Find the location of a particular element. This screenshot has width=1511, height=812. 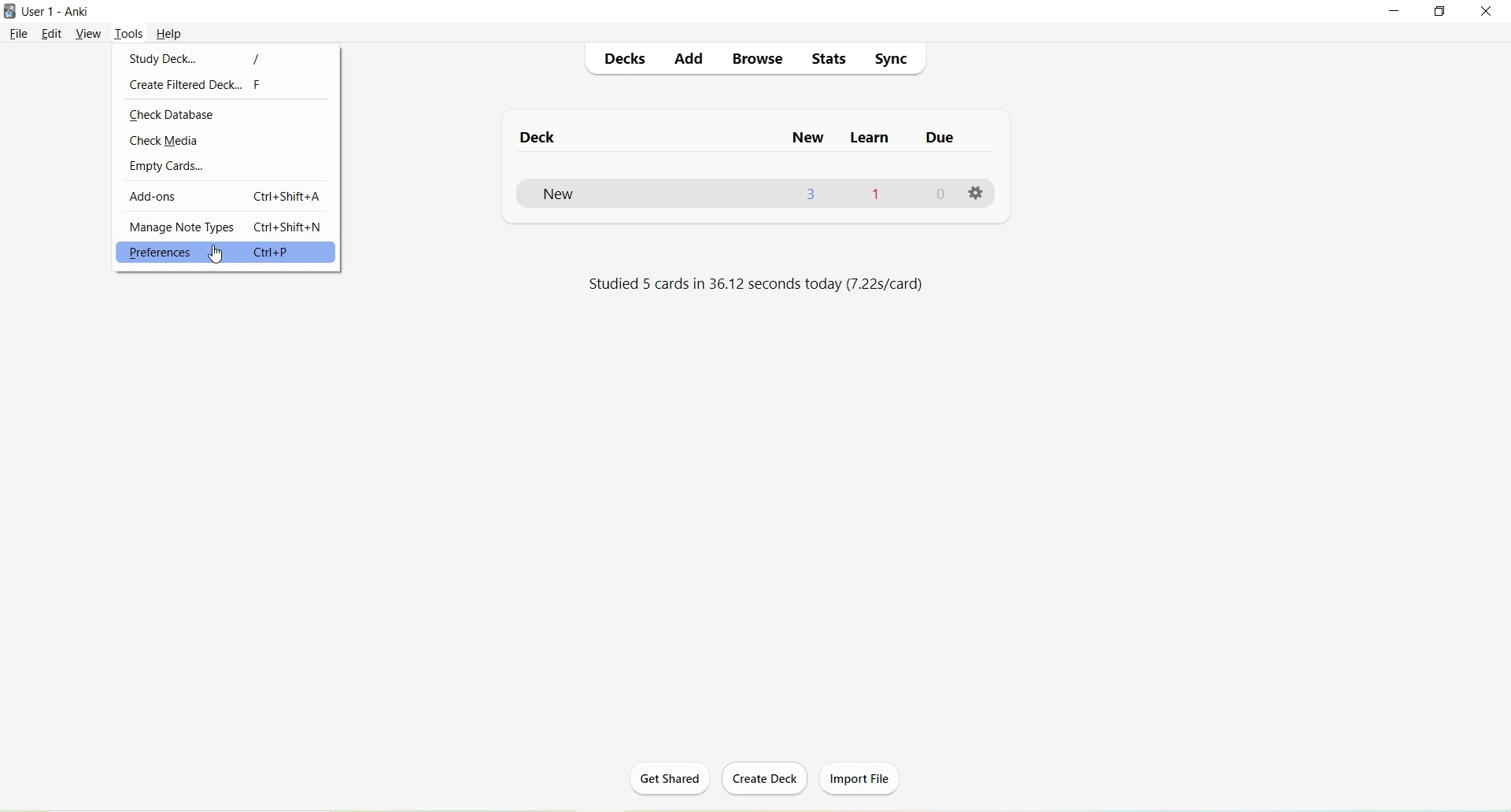

Decks is located at coordinates (626, 61).